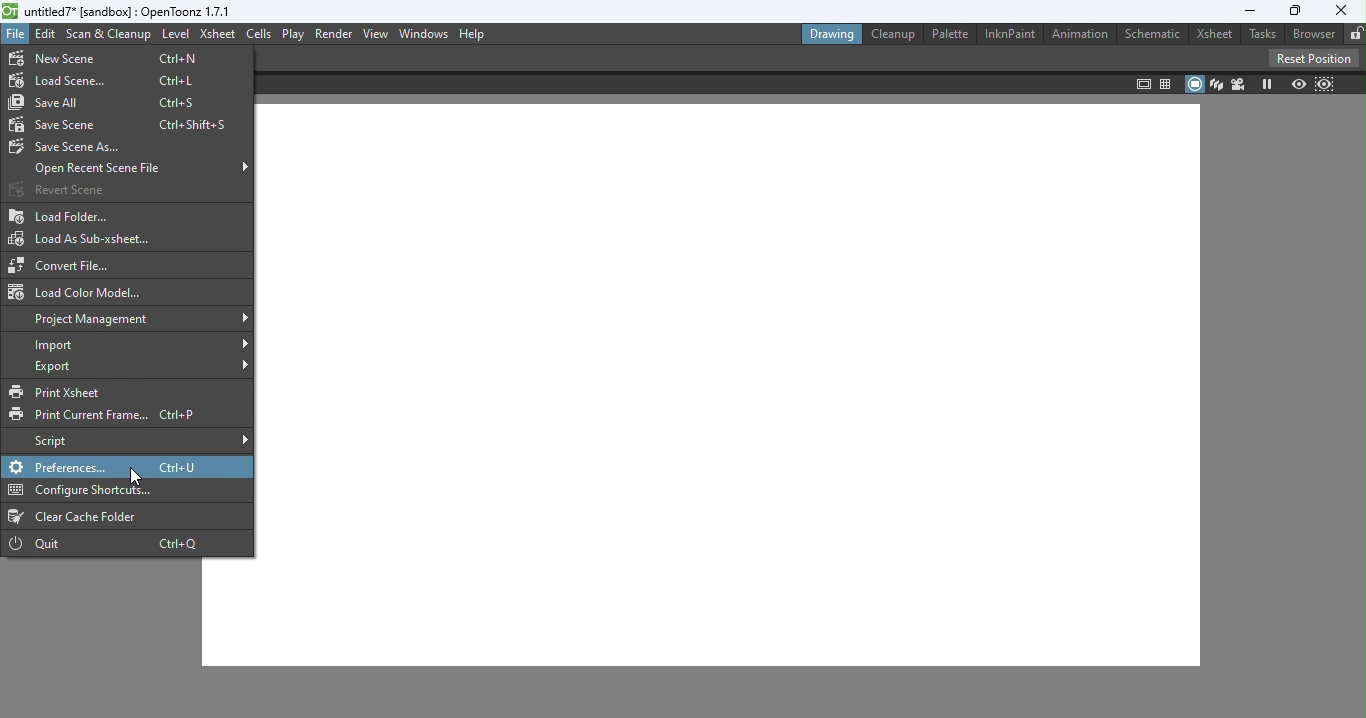  I want to click on Save all, so click(108, 103).